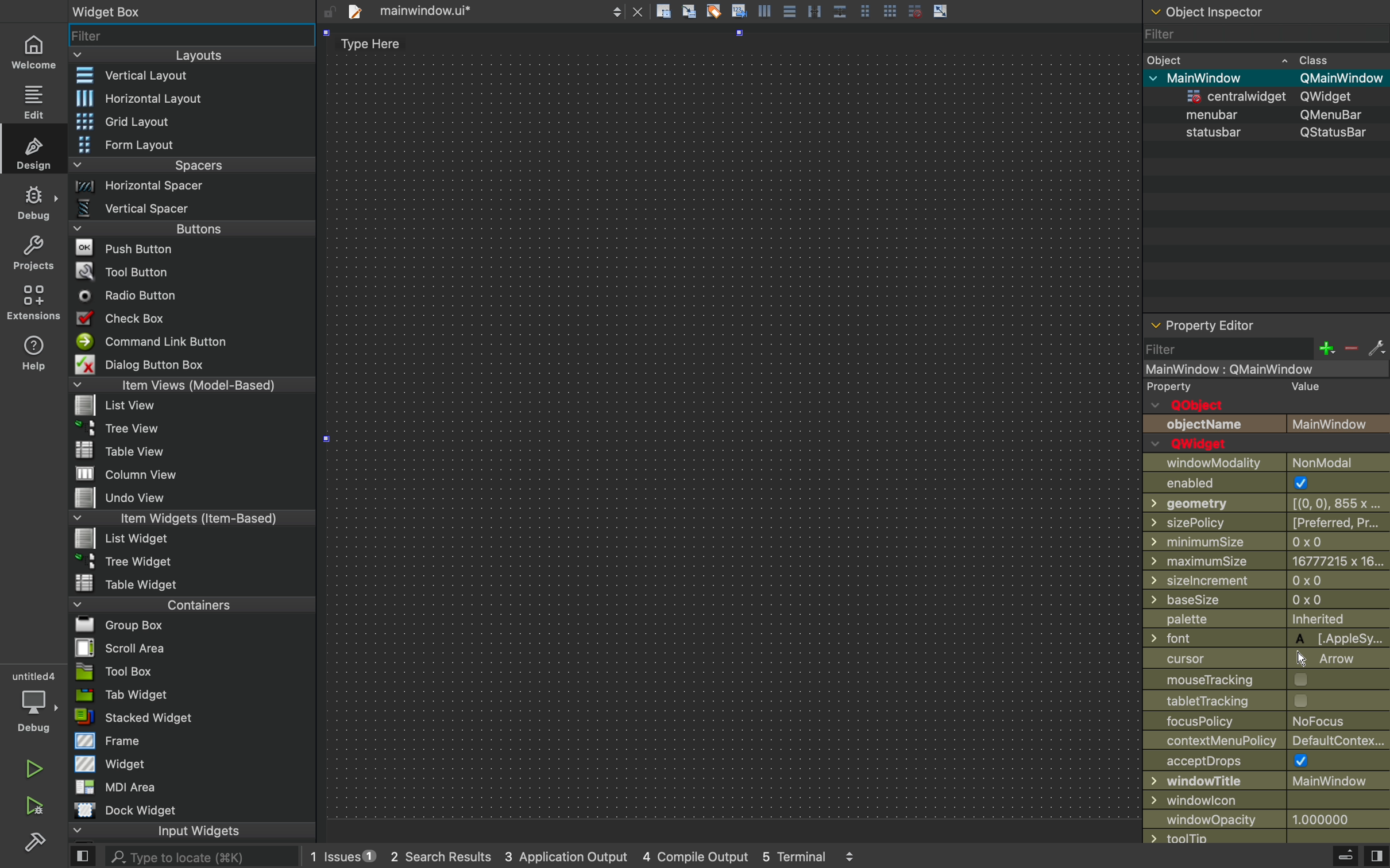 This screenshot has height=868, width=1390. Describe the element at coordinates (191, 33) in the screenshot. I see `widget filter bar` at that location.